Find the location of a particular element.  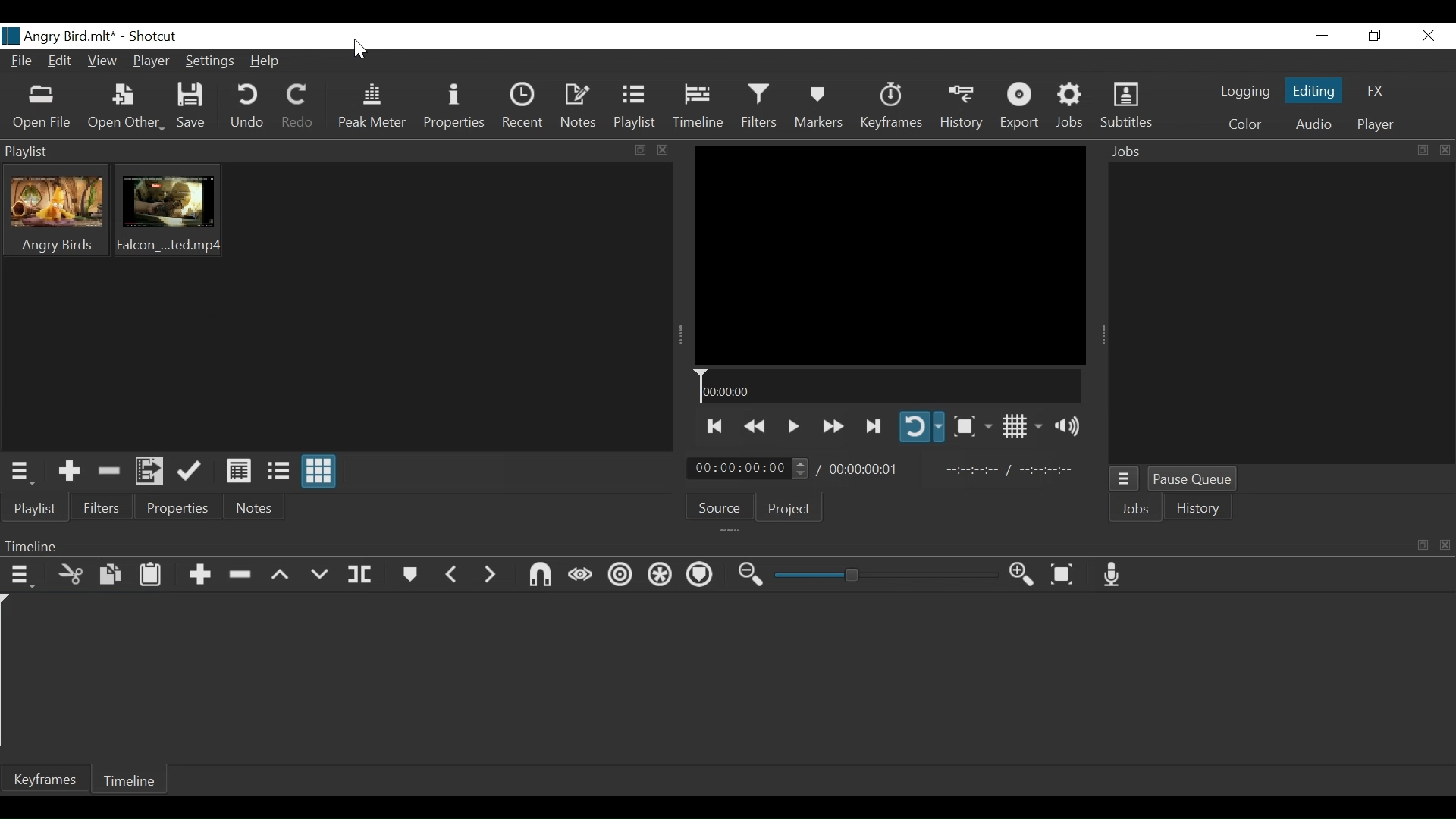

History is located at coordinates (961, 107).